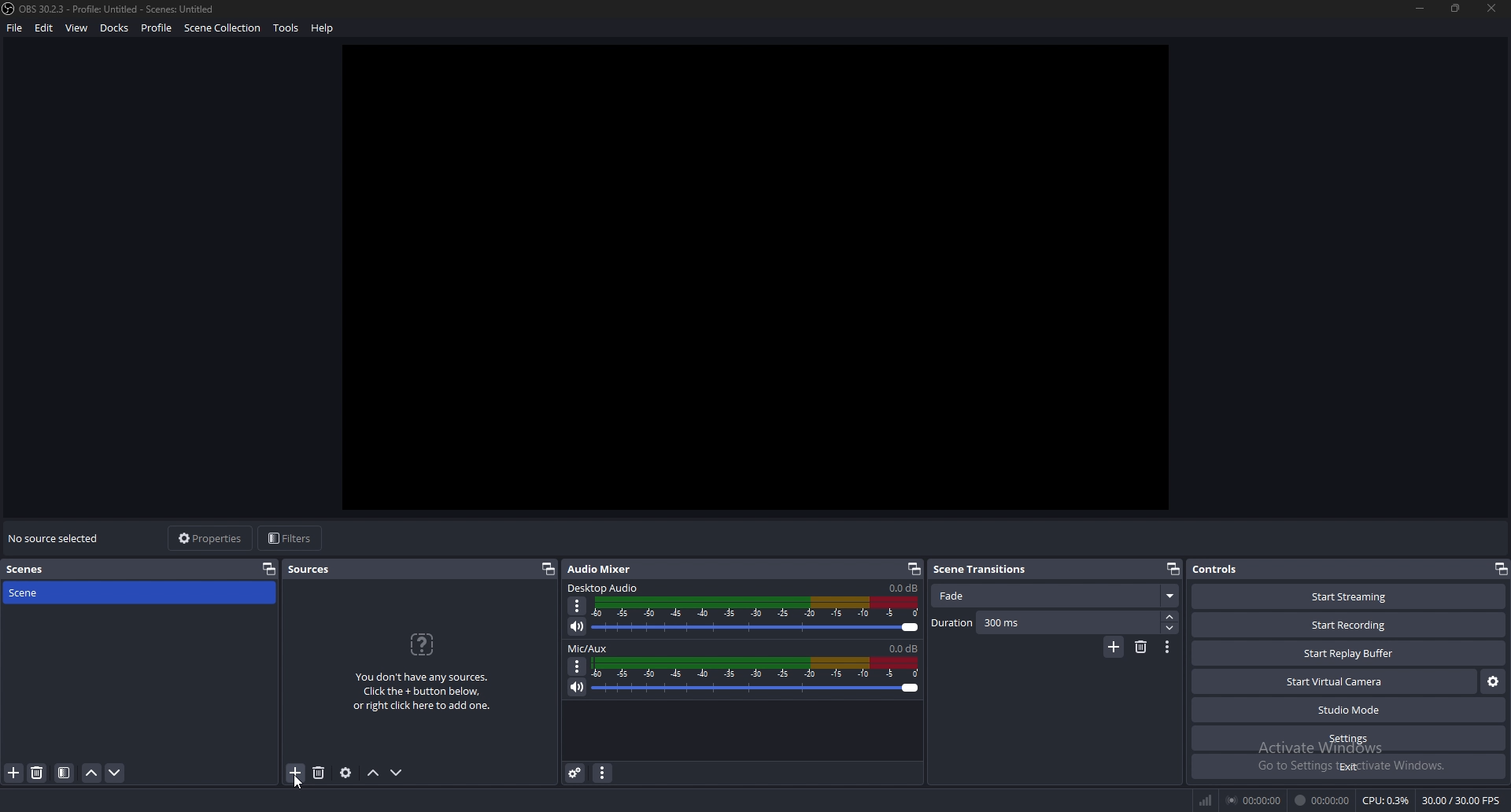 This screenshot has height=812, width=1511. What do you see at coordinates (1171, 569) in the screenshot?
I see `popout` at bounding box center [1171, 569].